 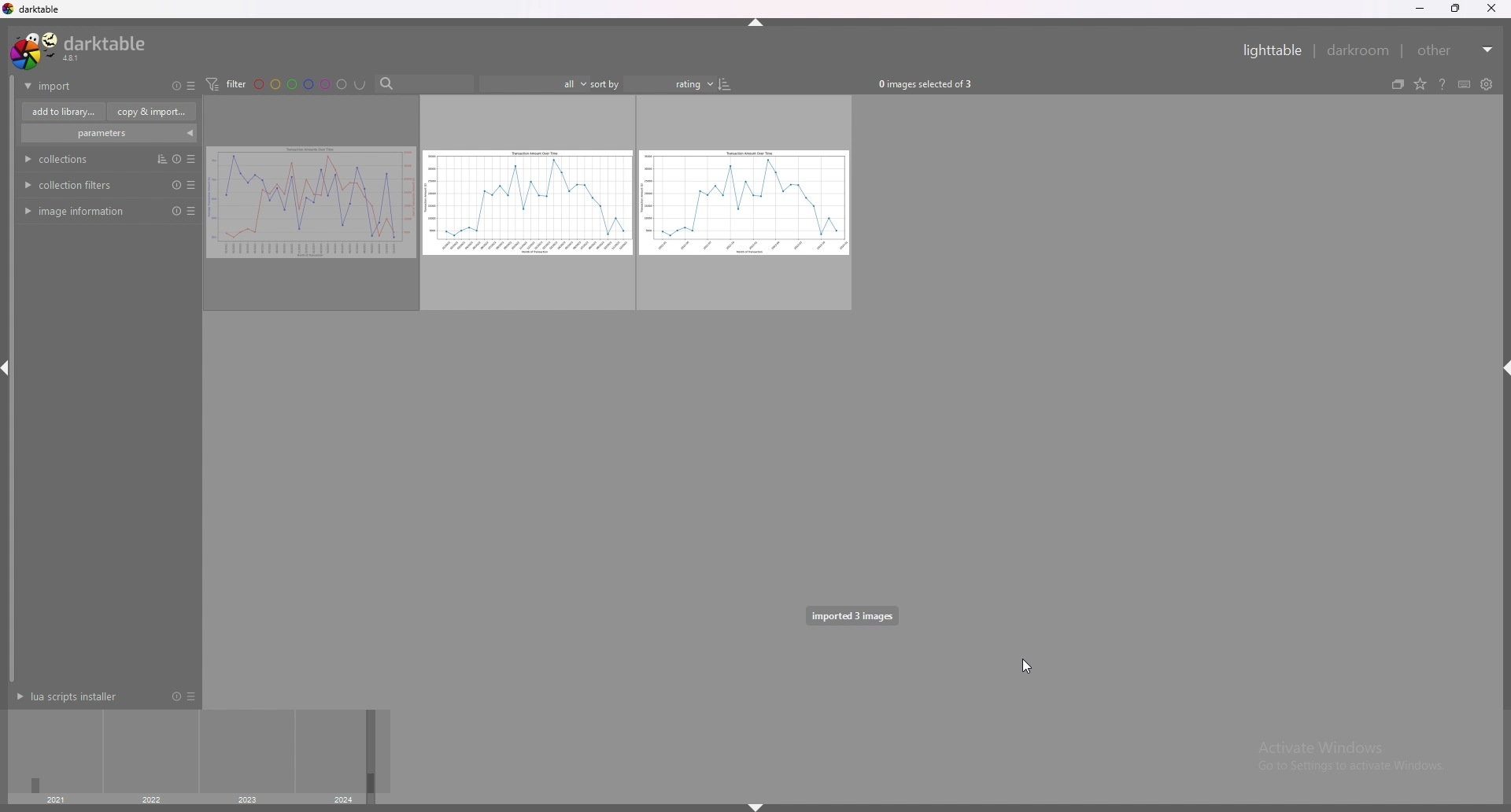 I want to click on reset, so click(x=175, y=696).